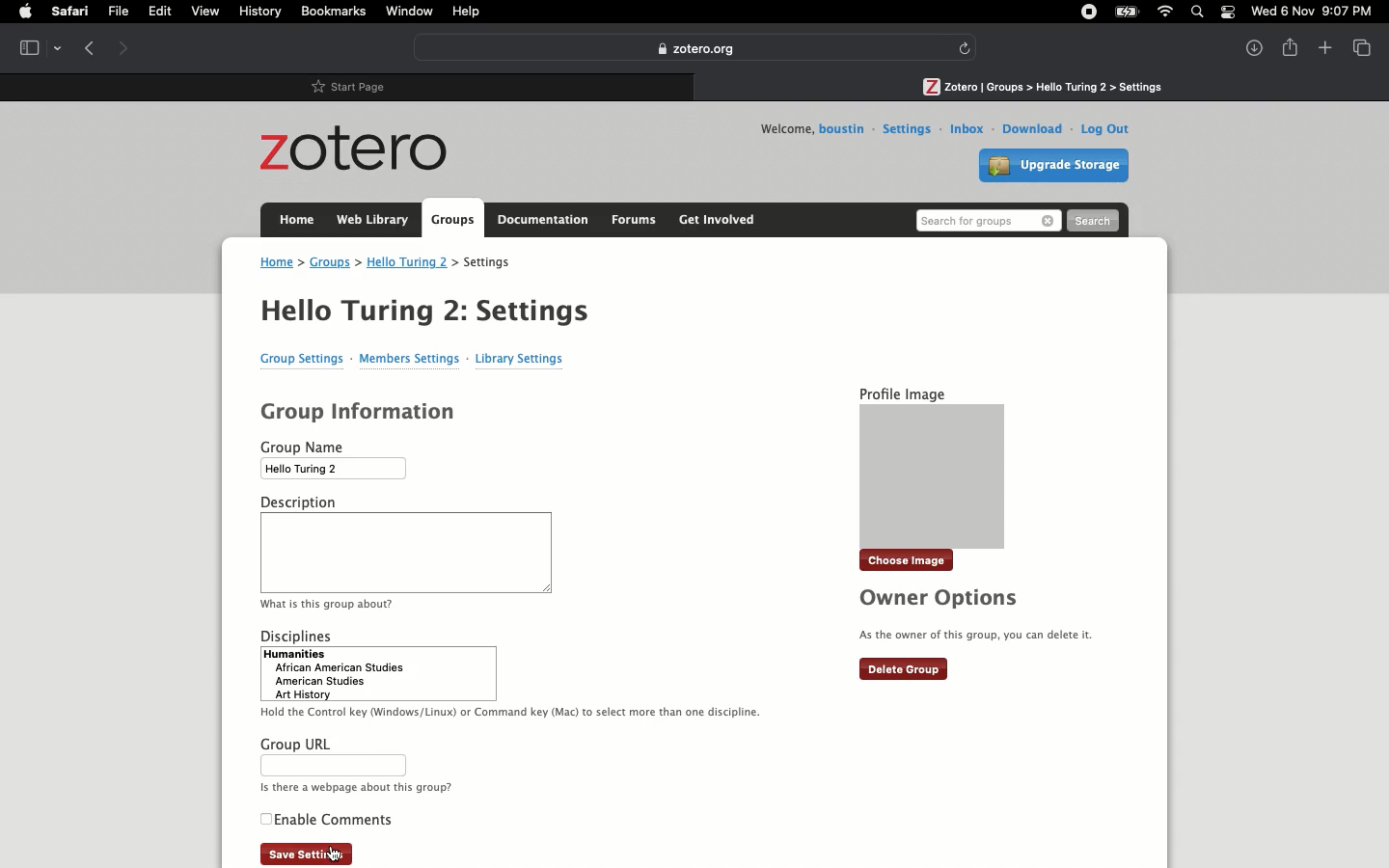  Describe the element at coordinates (1291, 46) in the screenshot. I see `Share` at that location.